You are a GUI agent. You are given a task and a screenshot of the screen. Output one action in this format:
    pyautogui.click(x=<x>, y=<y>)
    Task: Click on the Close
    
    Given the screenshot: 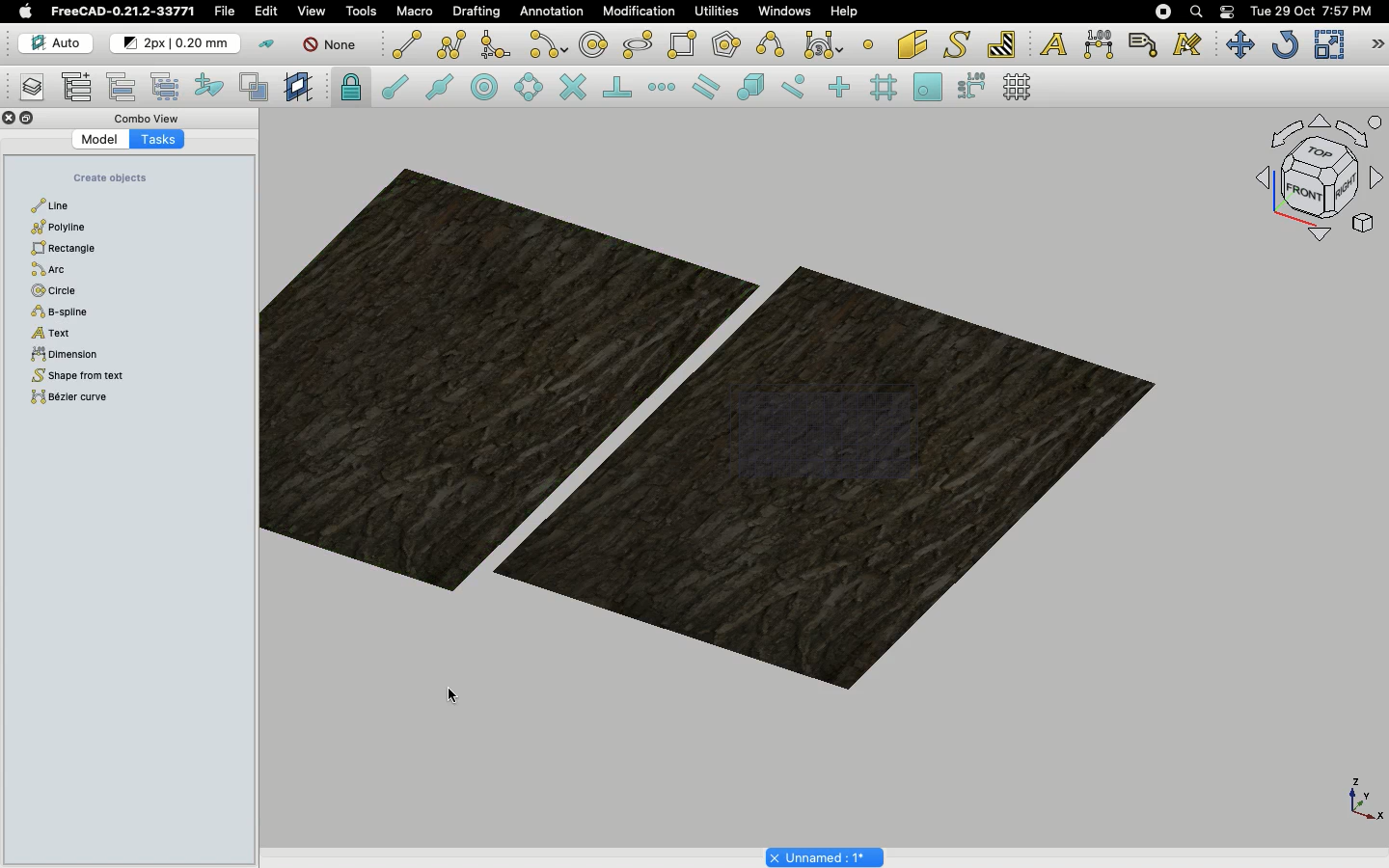 What is the action you would take?
    pyautogui.click(x=10, y=120)
    